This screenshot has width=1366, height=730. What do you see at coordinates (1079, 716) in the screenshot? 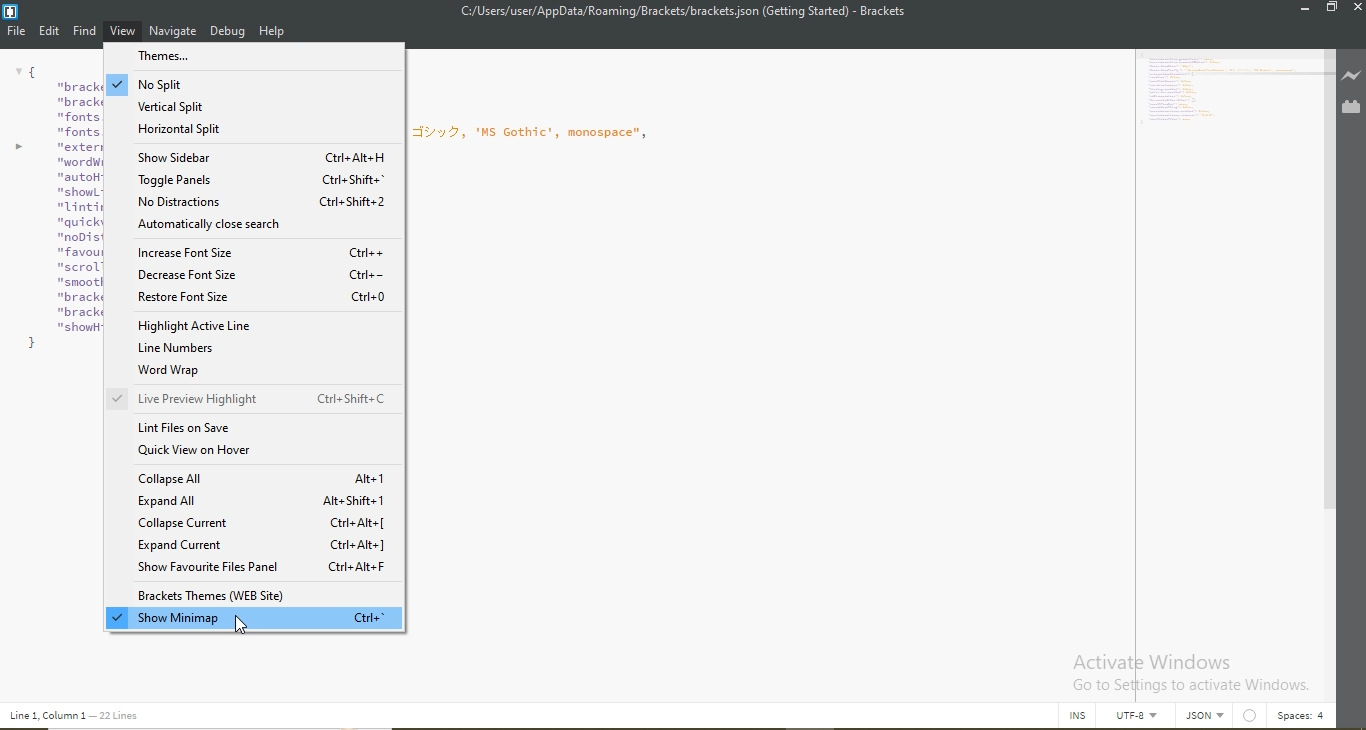
I see `INS` at bounding box center [1079, 716].